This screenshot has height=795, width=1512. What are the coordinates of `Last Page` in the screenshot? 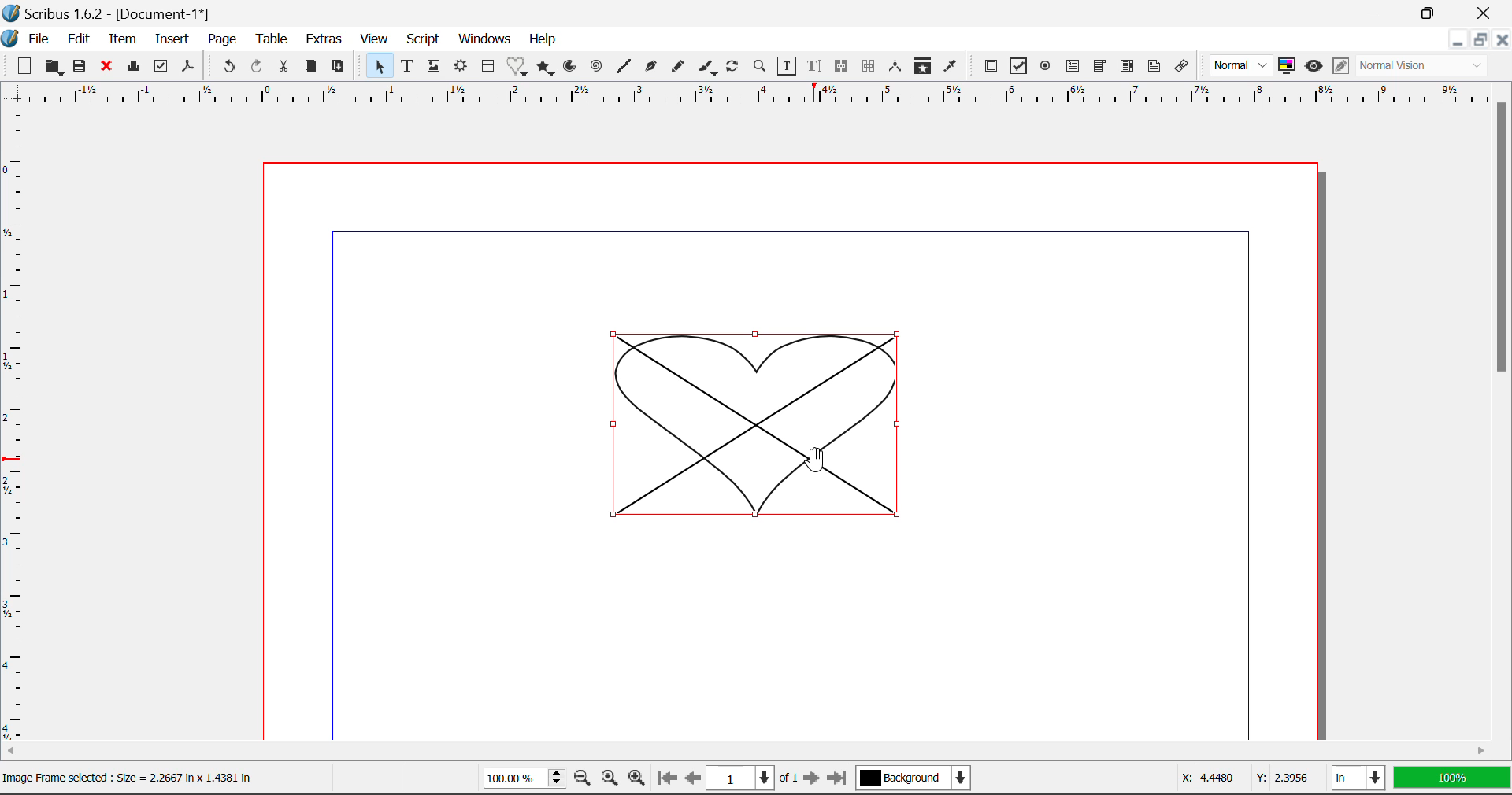 It's located at (839, 778).